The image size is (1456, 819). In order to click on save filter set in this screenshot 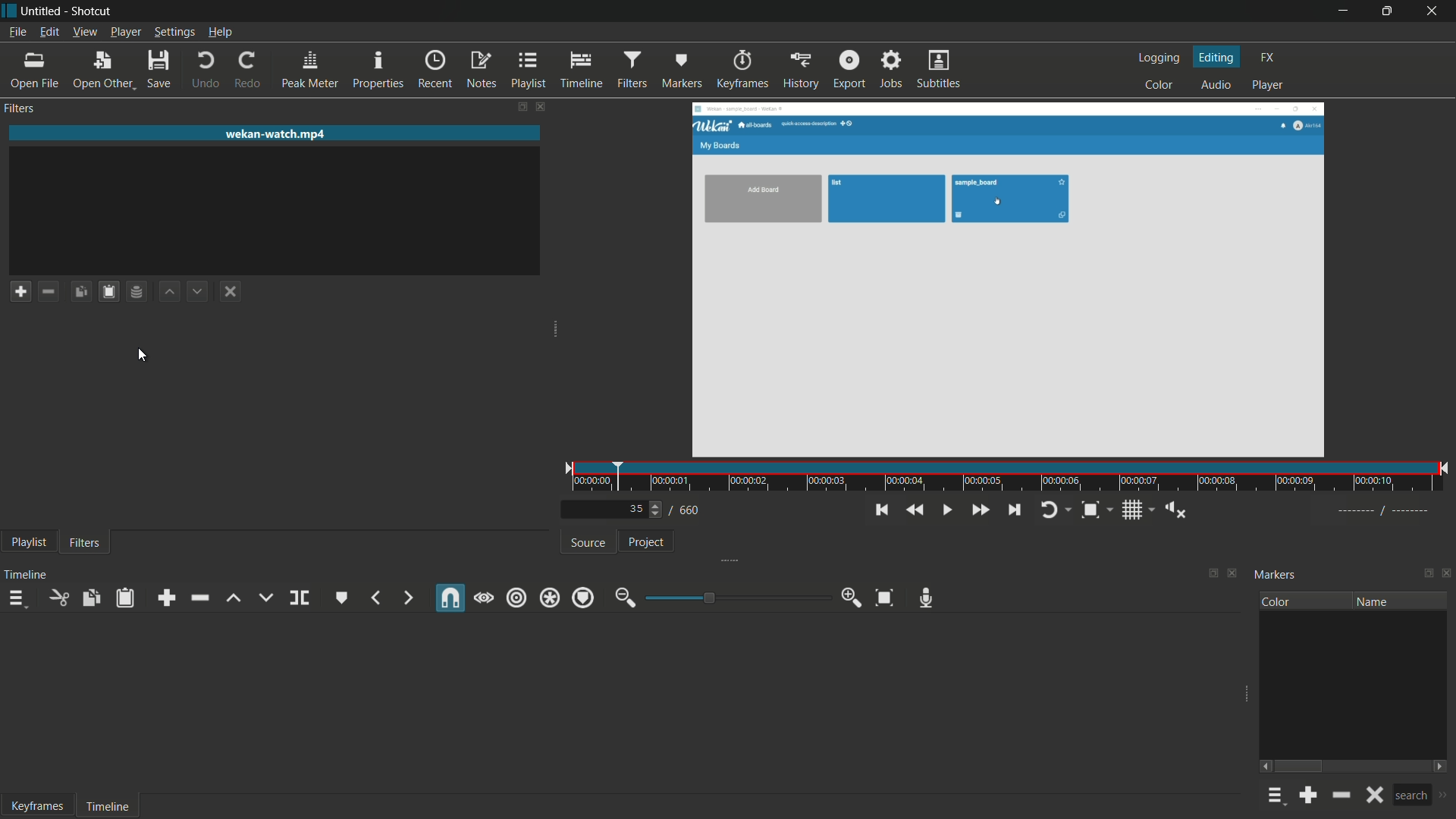, I will do `click(136, 292)`.